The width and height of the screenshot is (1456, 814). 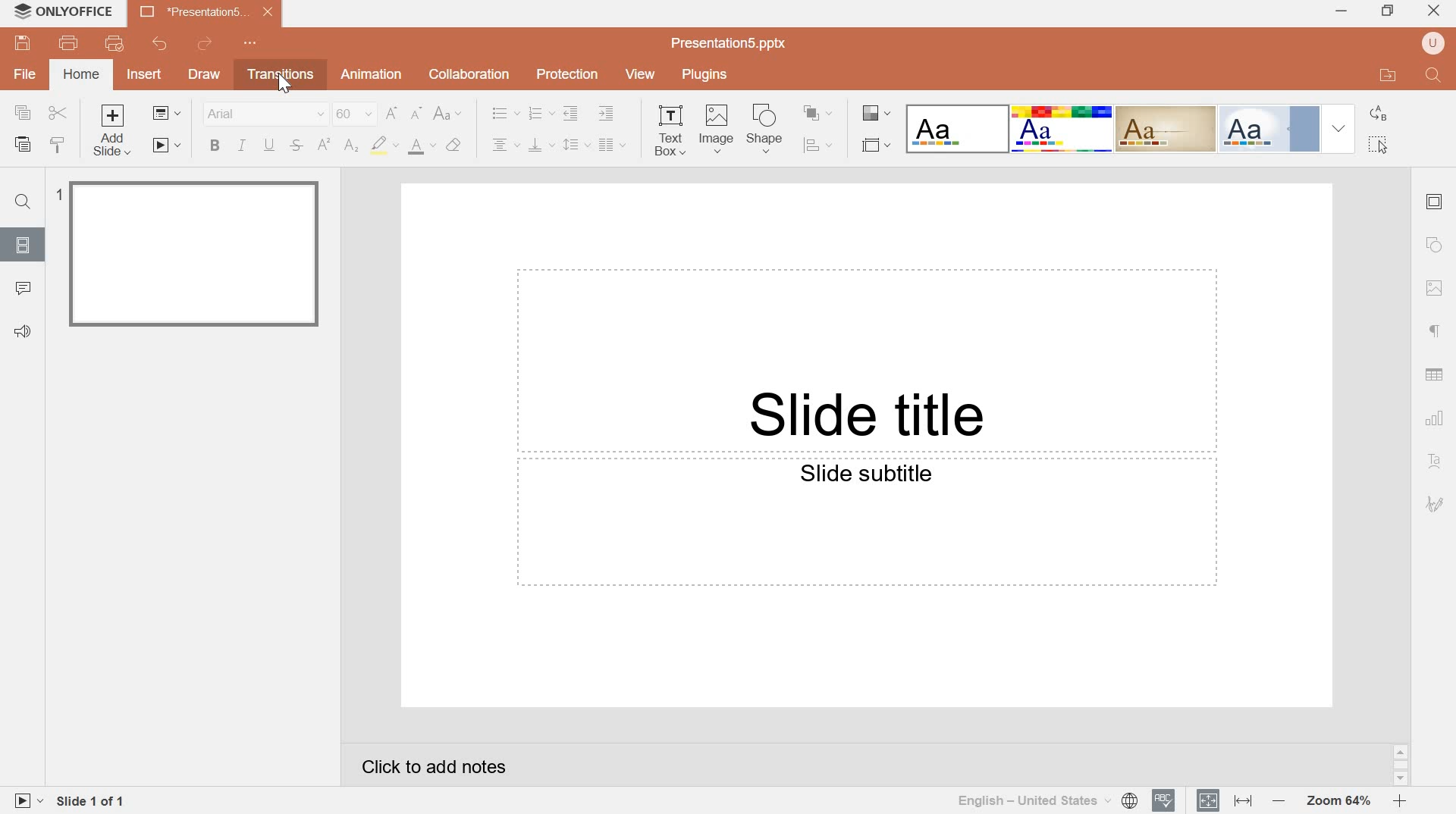 What do you see at coordinates (69, 43) in the screenshot?
I see `print` at bounding box center [69, 43].